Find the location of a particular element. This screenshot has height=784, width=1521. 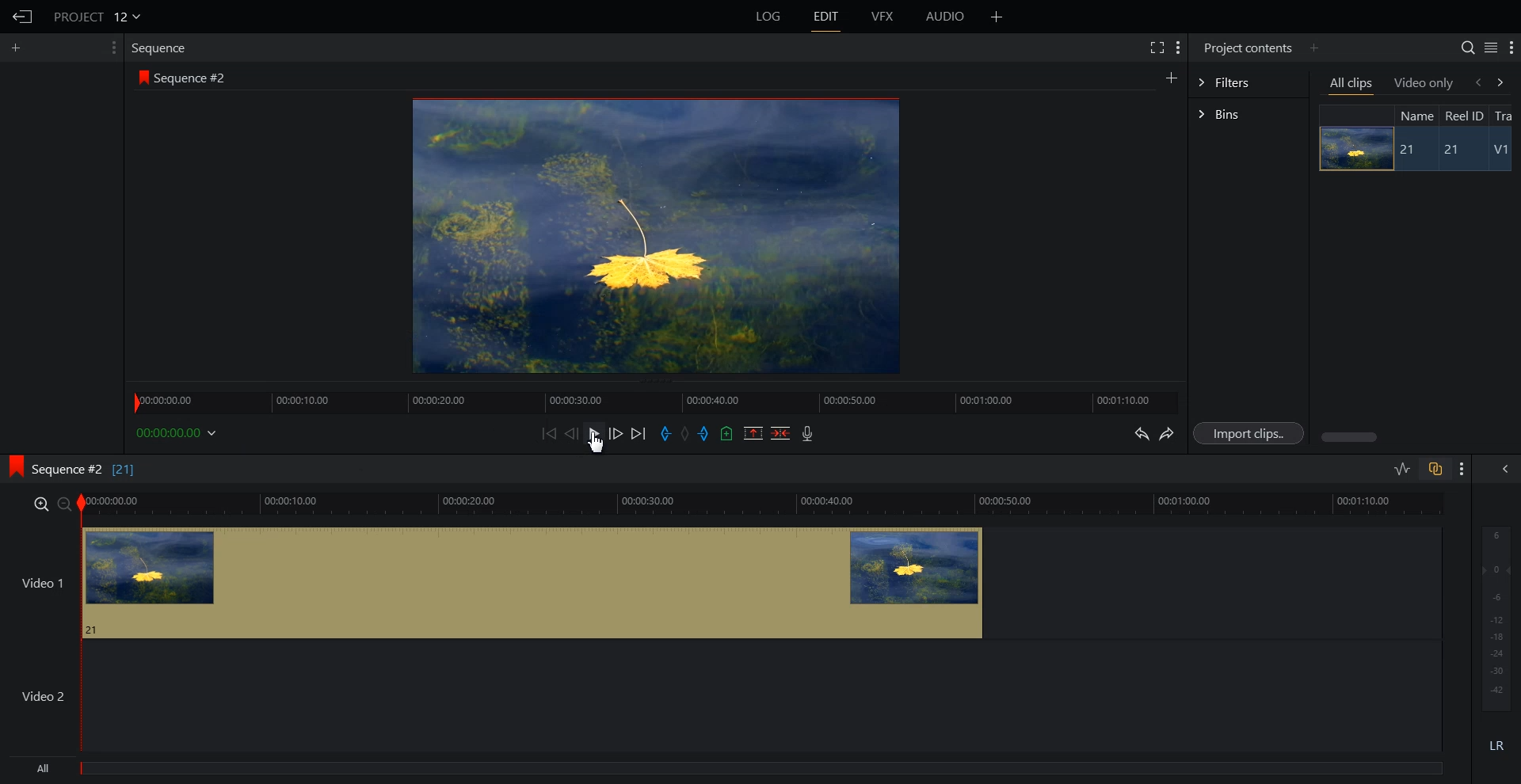

Move forward is located at coordinates (639, 434).